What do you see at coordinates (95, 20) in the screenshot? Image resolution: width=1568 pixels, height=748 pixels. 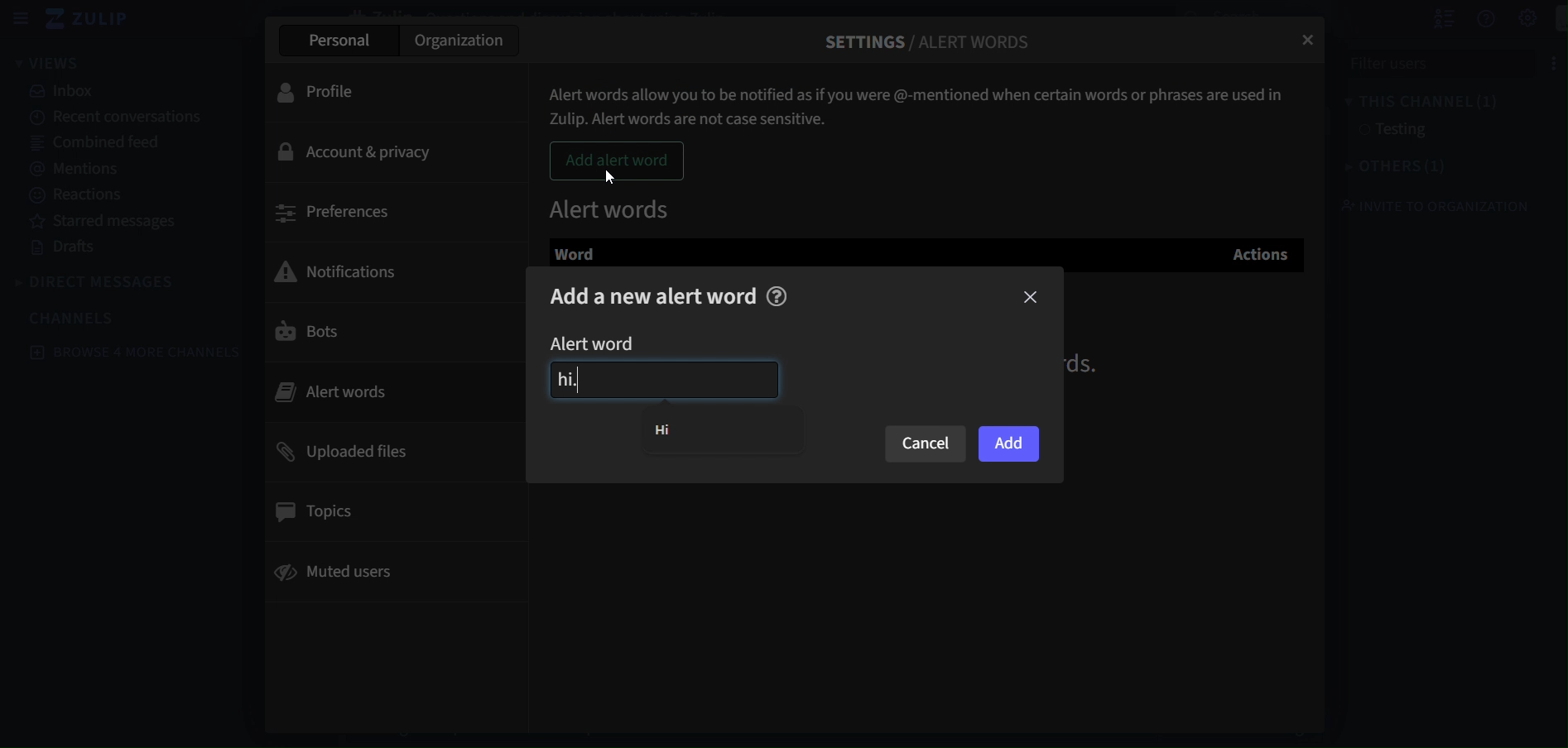 I see `zulip` at bounding box center [95, 20].